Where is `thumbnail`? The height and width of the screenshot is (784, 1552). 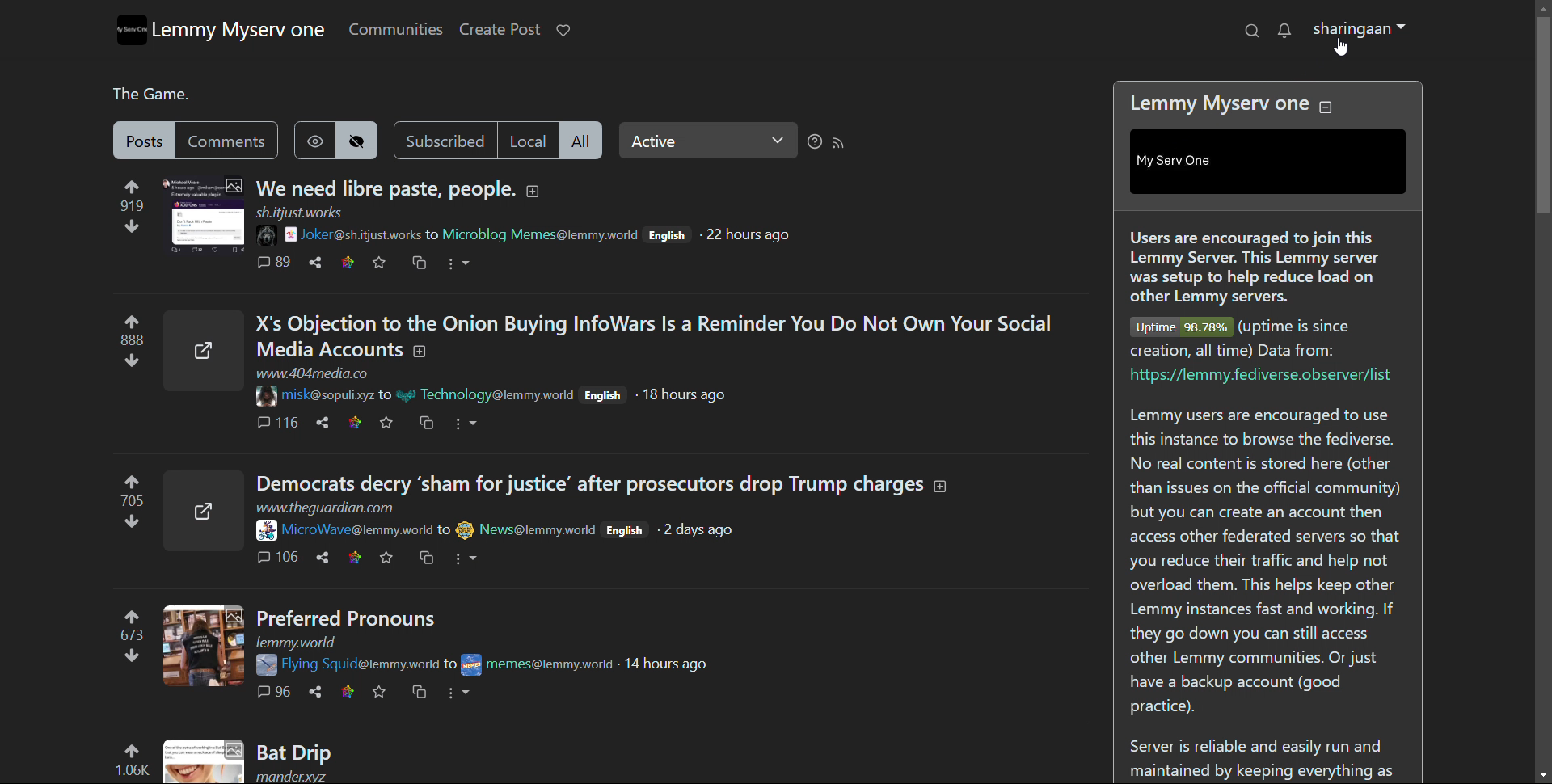
thumbnail is located at coordinates (204, 349).